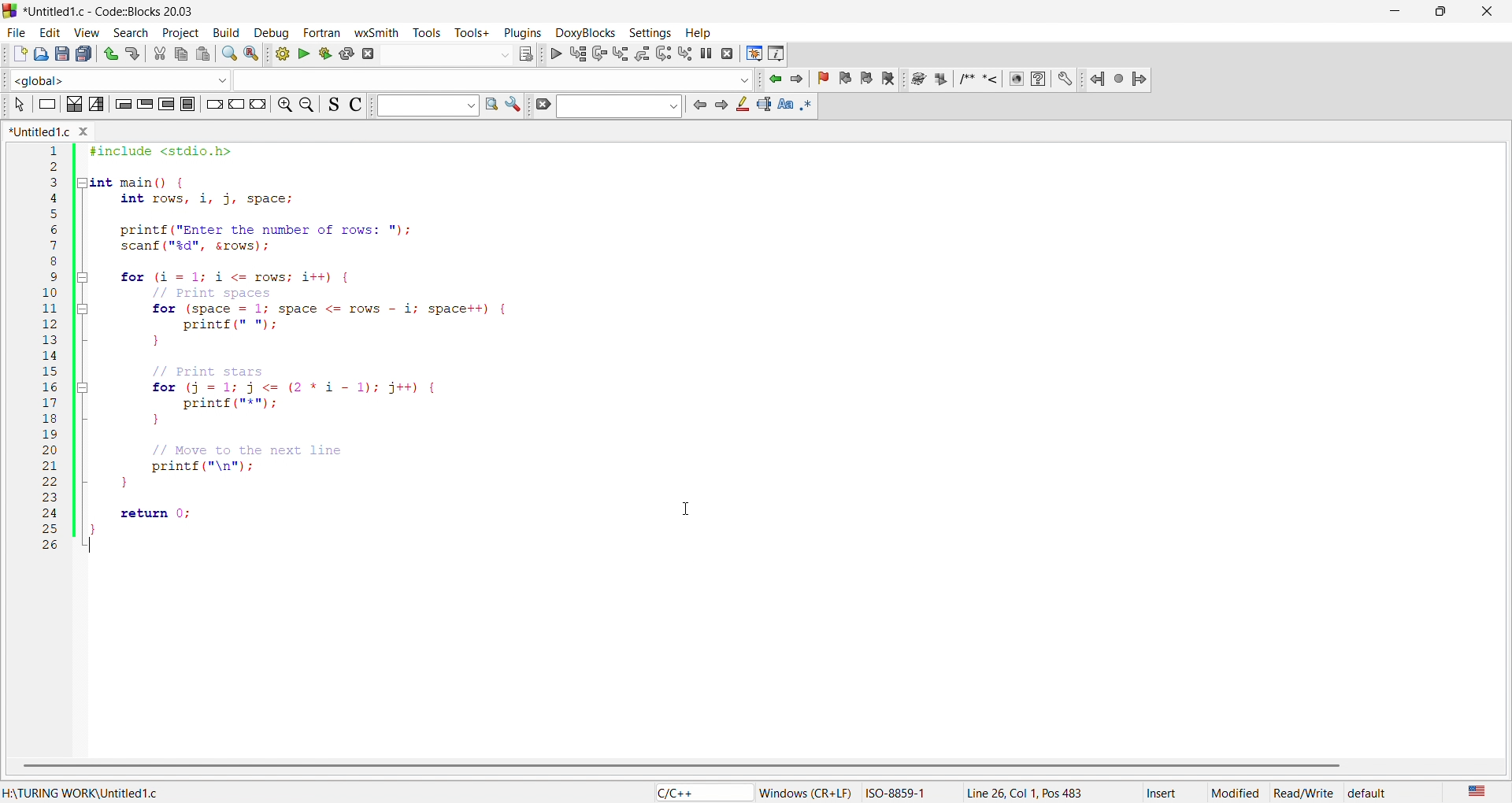 This screenshot has width=1512, height=803. What do you see at coordinates (427, 31) in the screenshot?
I see `tools` at bounding box center [427, 31].